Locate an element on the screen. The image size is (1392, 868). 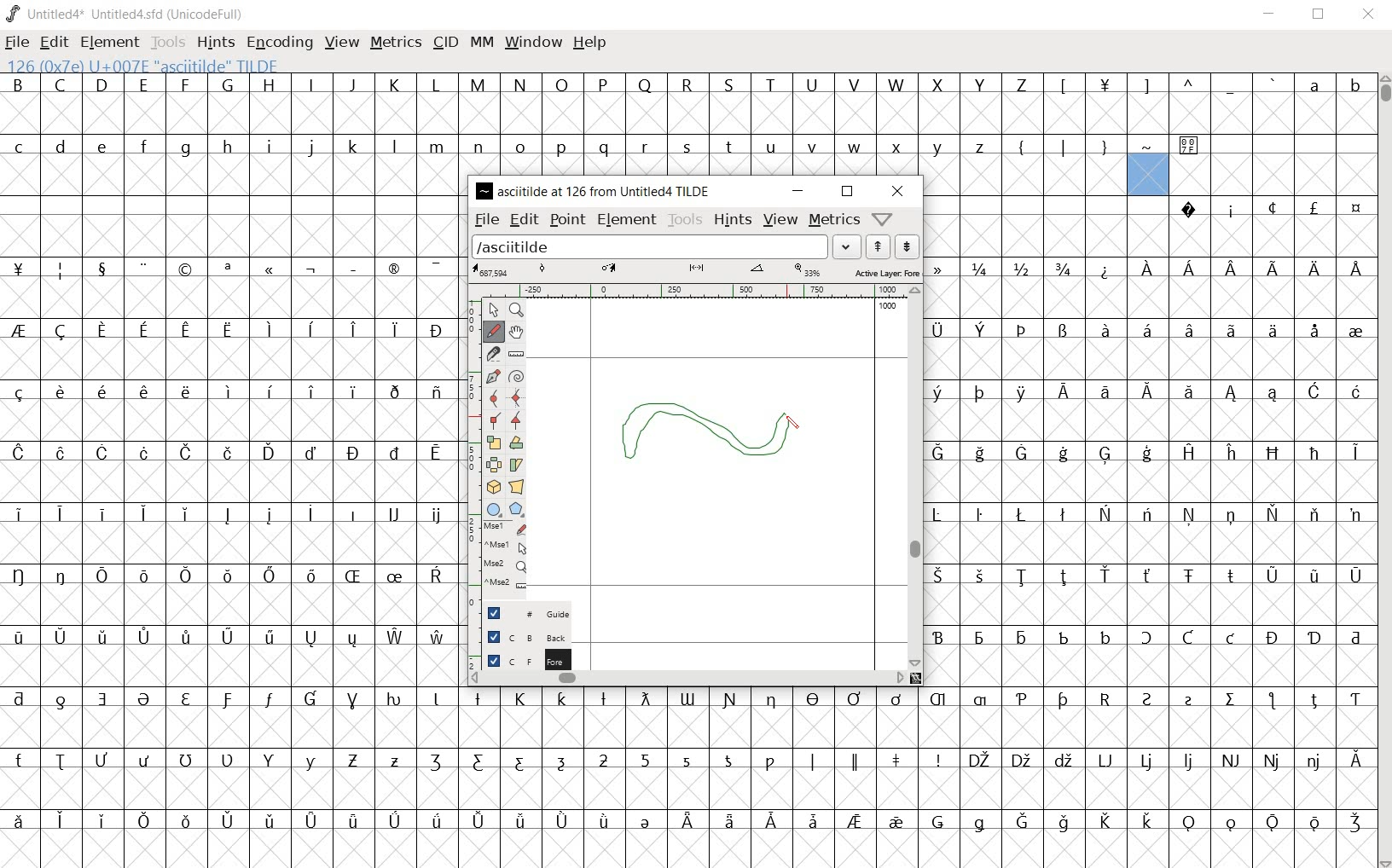
perform a perspective transformation on the selection is located at coordinates (492, 486).